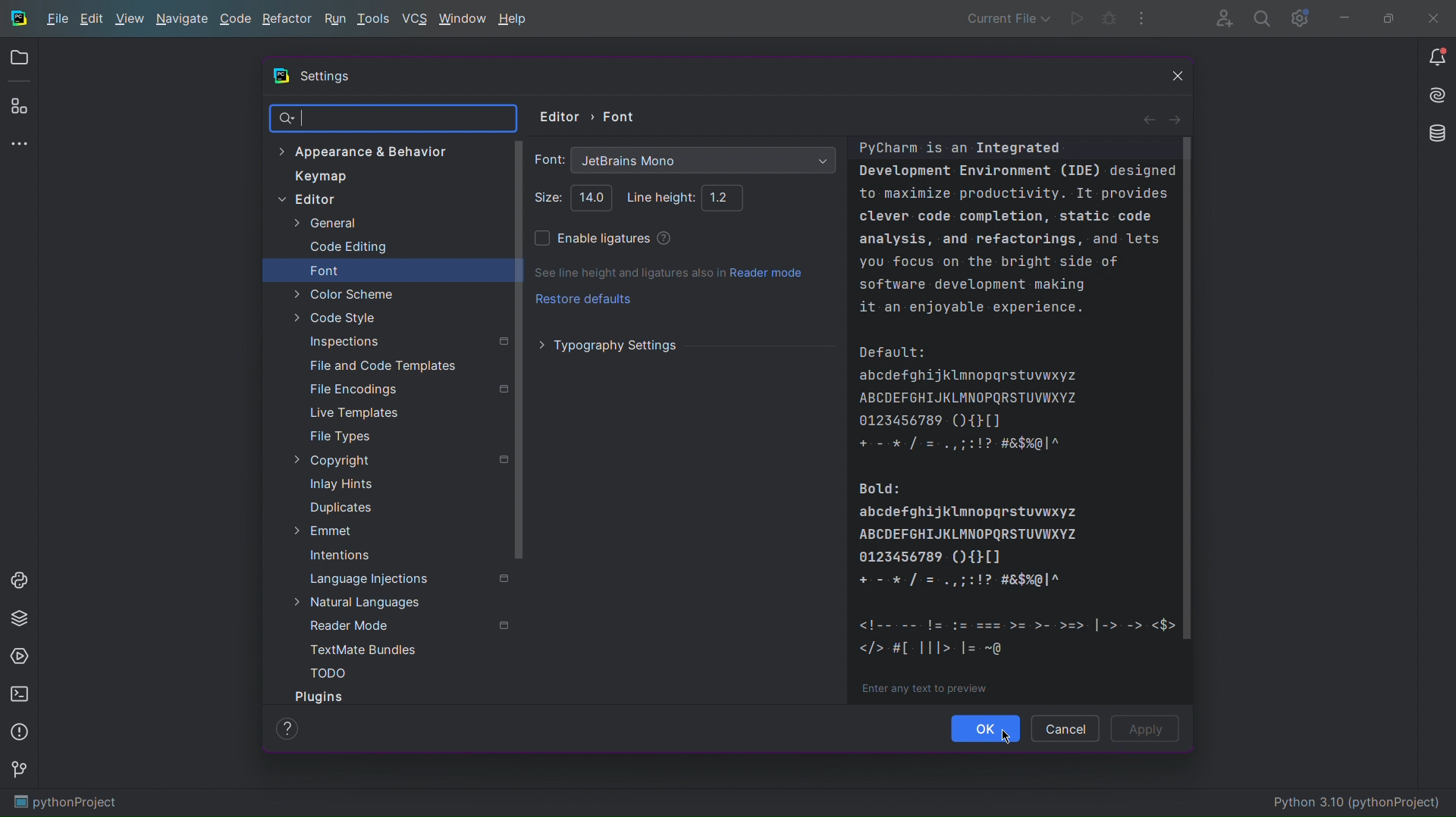 Image resolution: width=1456 pixels, height=817 pixels. What do you see at coordinates (1147, 118) in the screenshot?
I see `Back` at bounding box center [1147, 118].